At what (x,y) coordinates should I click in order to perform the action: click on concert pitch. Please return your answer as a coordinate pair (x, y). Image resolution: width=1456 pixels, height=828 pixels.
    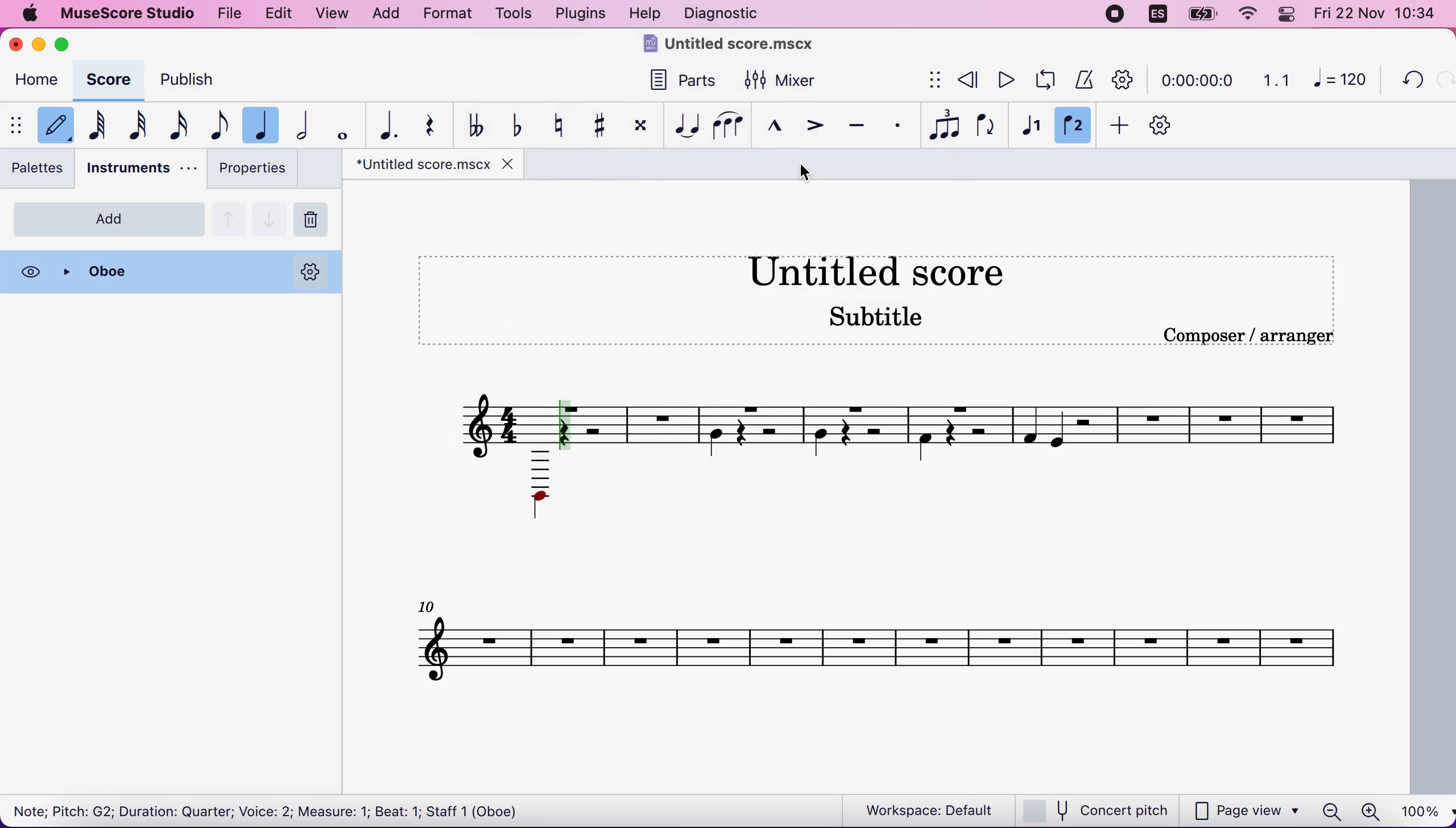
    Looking at the image, I should click on (1098, 809).